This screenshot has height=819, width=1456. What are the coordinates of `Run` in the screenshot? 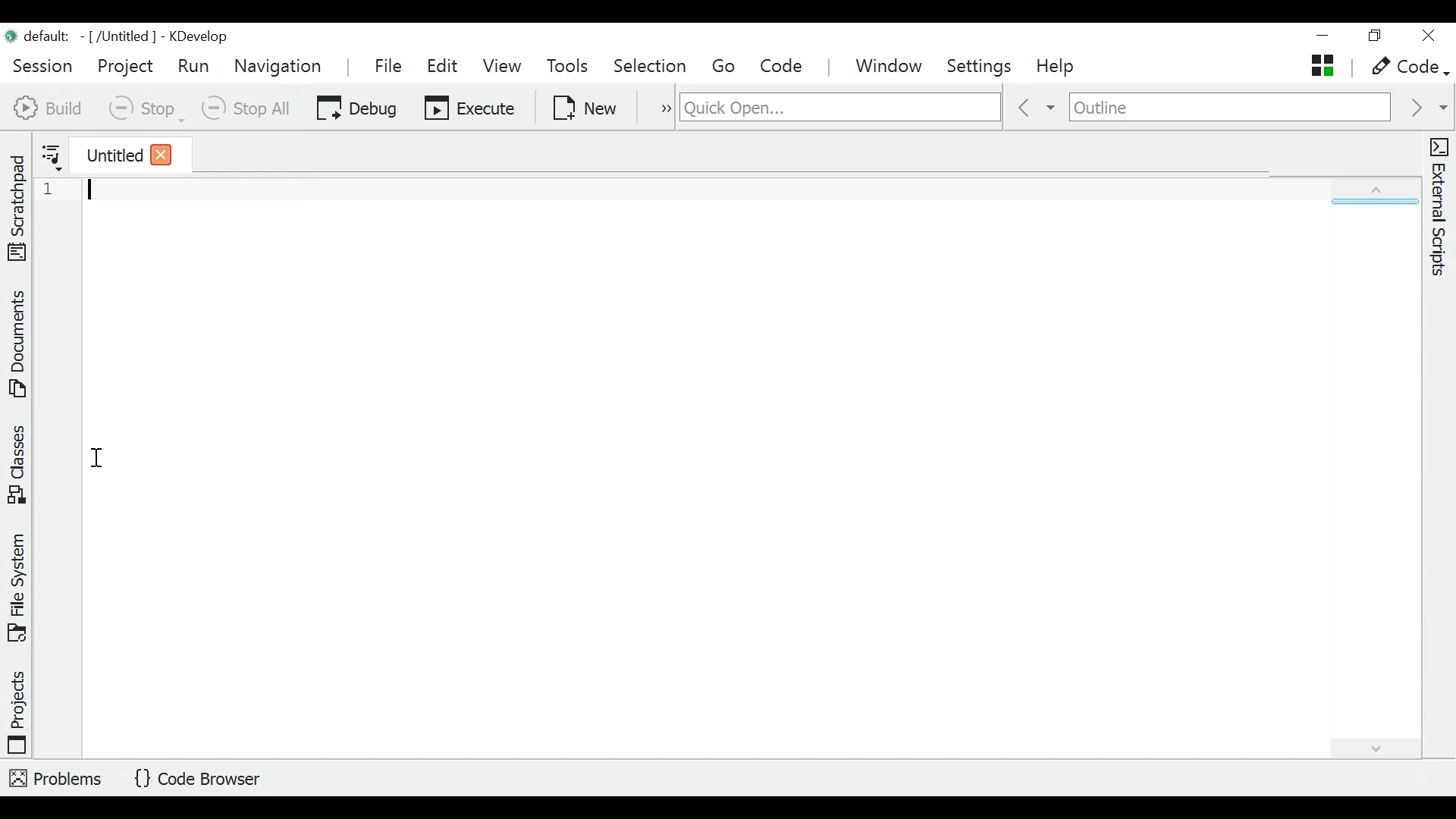 It's located at (195, 66).